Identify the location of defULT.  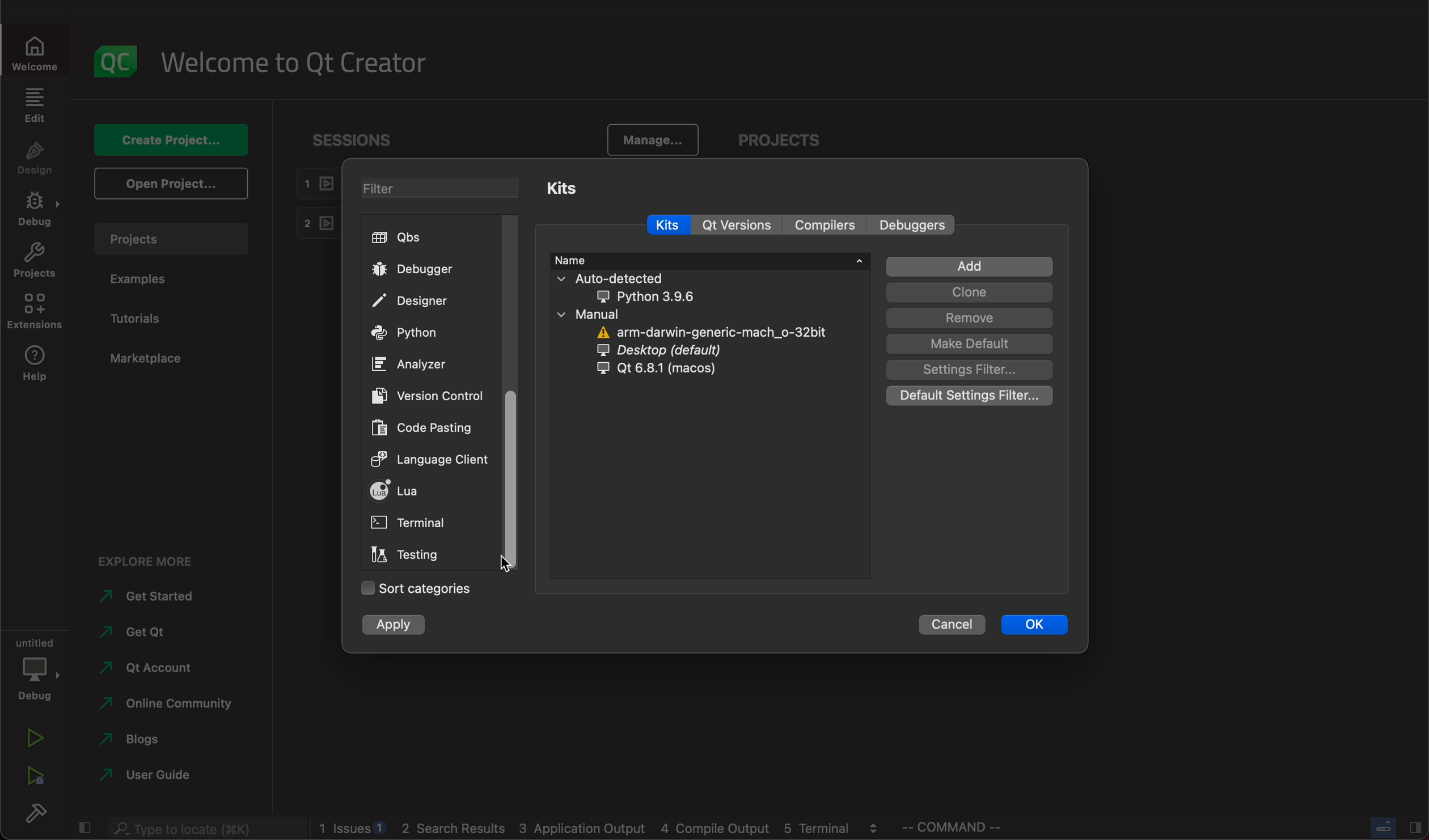
(973, 397).